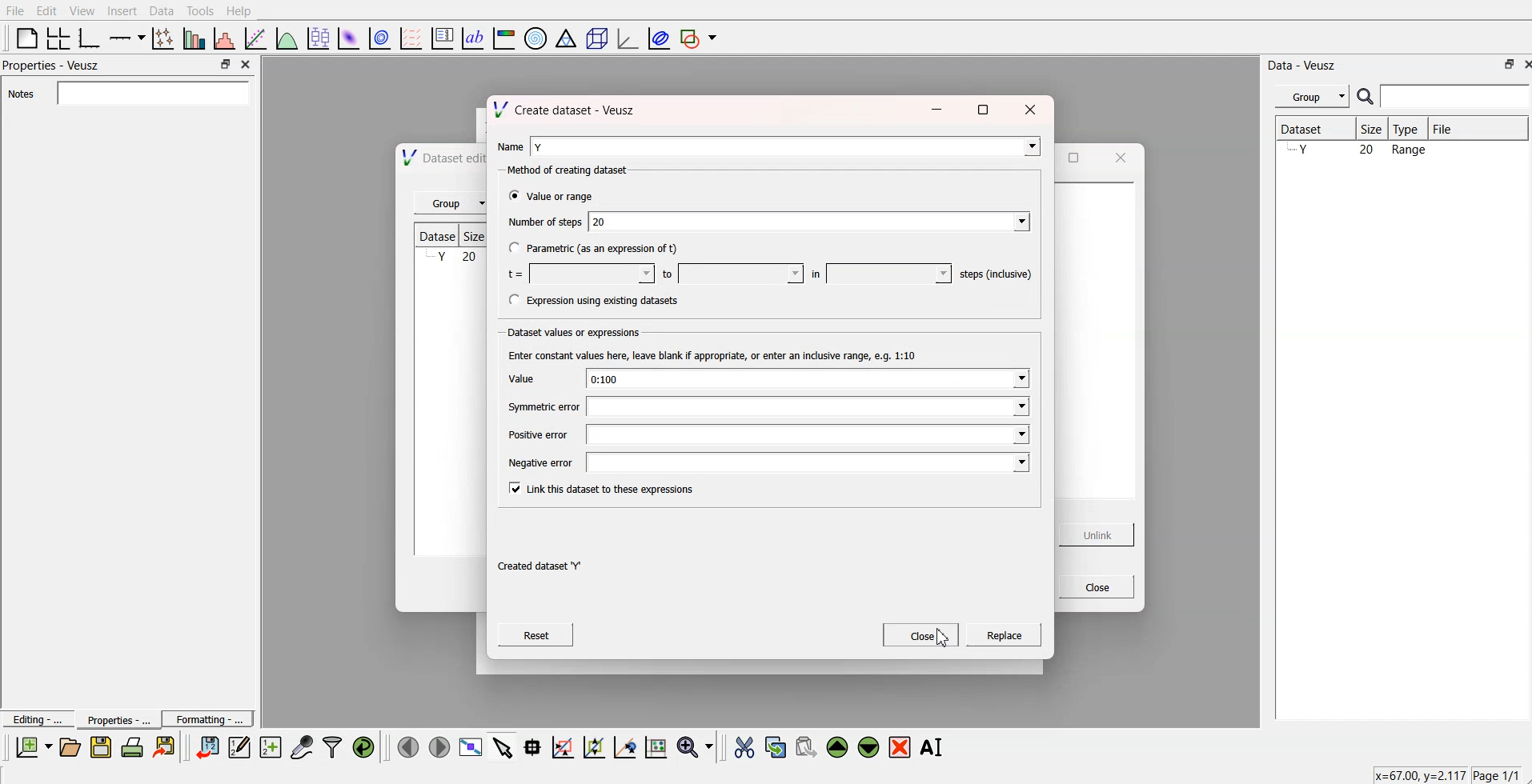 This screenshot has height=784, width=1532. Describe the element at coordinates (243, 10) in the screenshot. I see `Help` at that location.